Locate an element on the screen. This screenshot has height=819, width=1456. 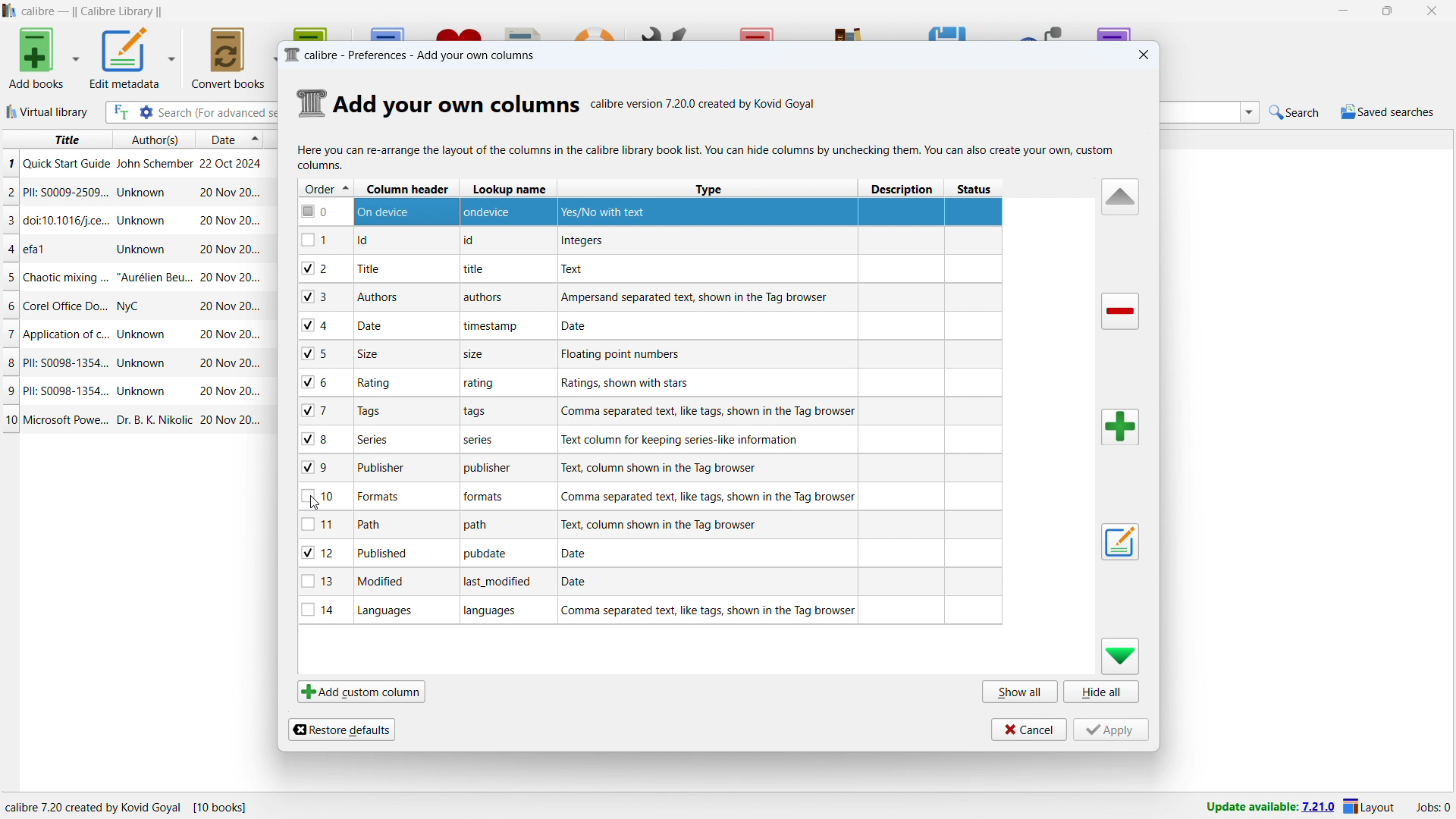
add books options is located at coordinates (76, 57).